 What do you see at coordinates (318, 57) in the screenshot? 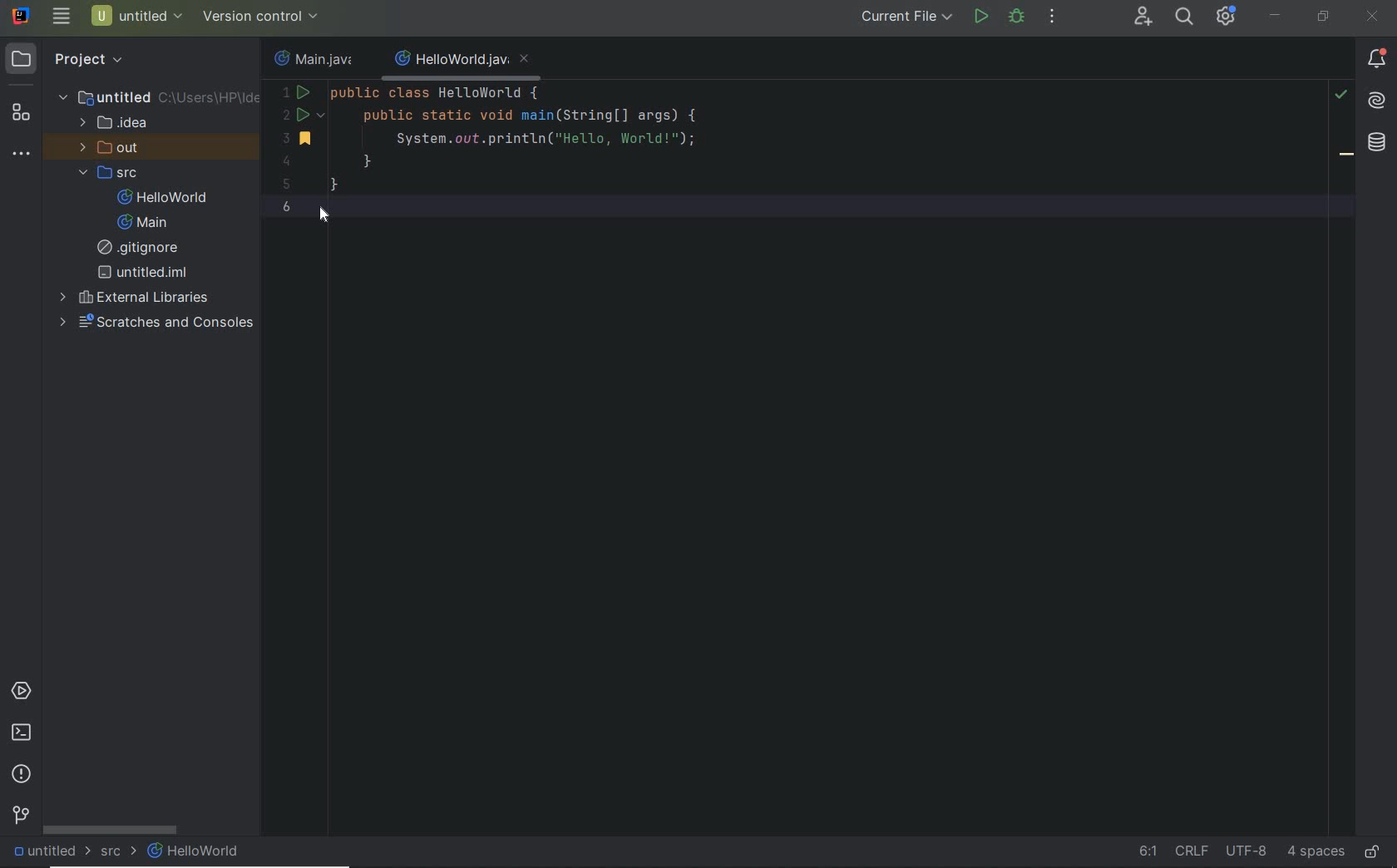
I see `file name` at bounding box center [318, 57].